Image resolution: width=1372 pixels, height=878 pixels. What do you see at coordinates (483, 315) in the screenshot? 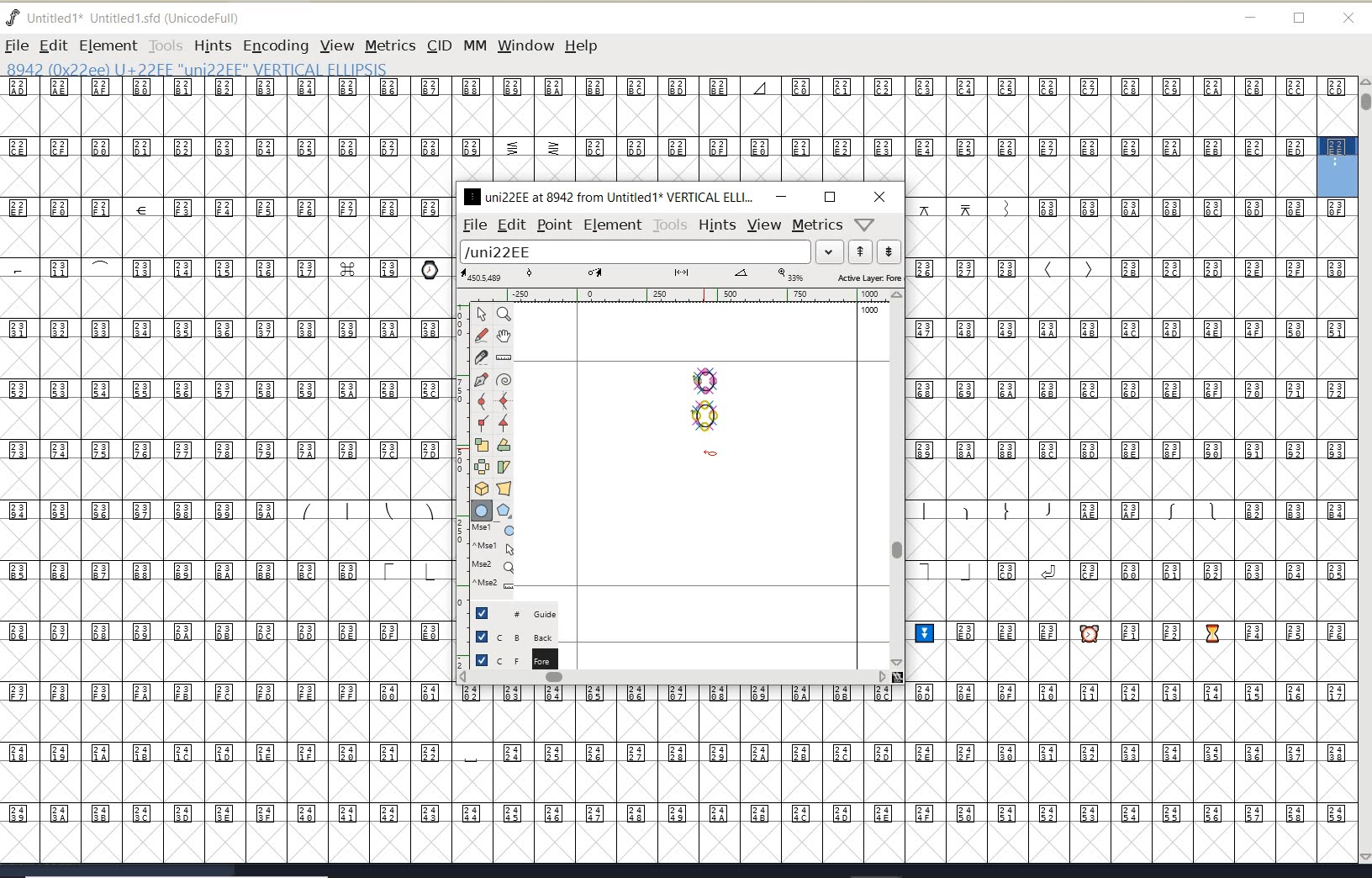
I see `pointer` at bounding box center [483, 315].